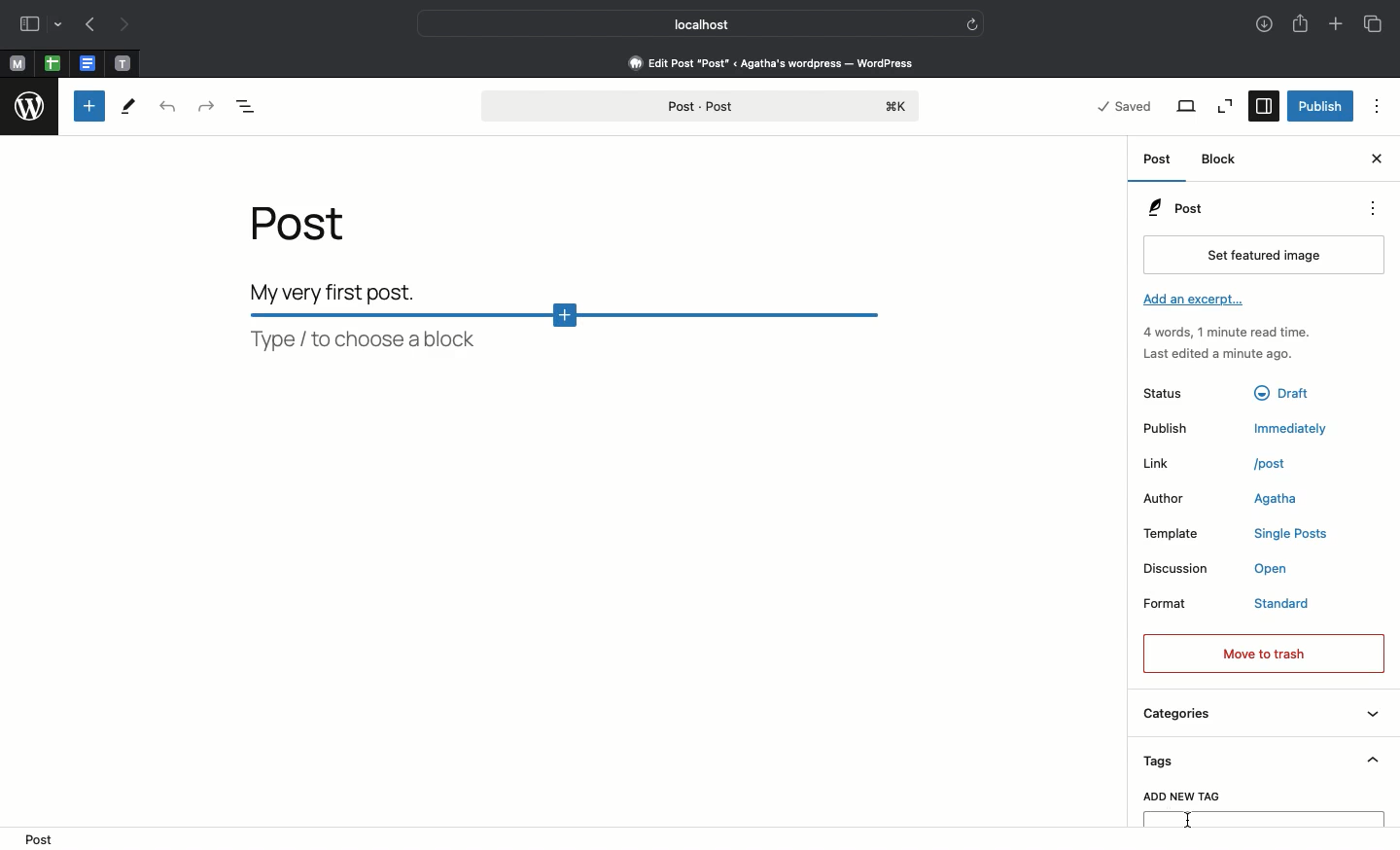 The image size is (1400, 850). I want to click on Document overview, so click(248, 111).